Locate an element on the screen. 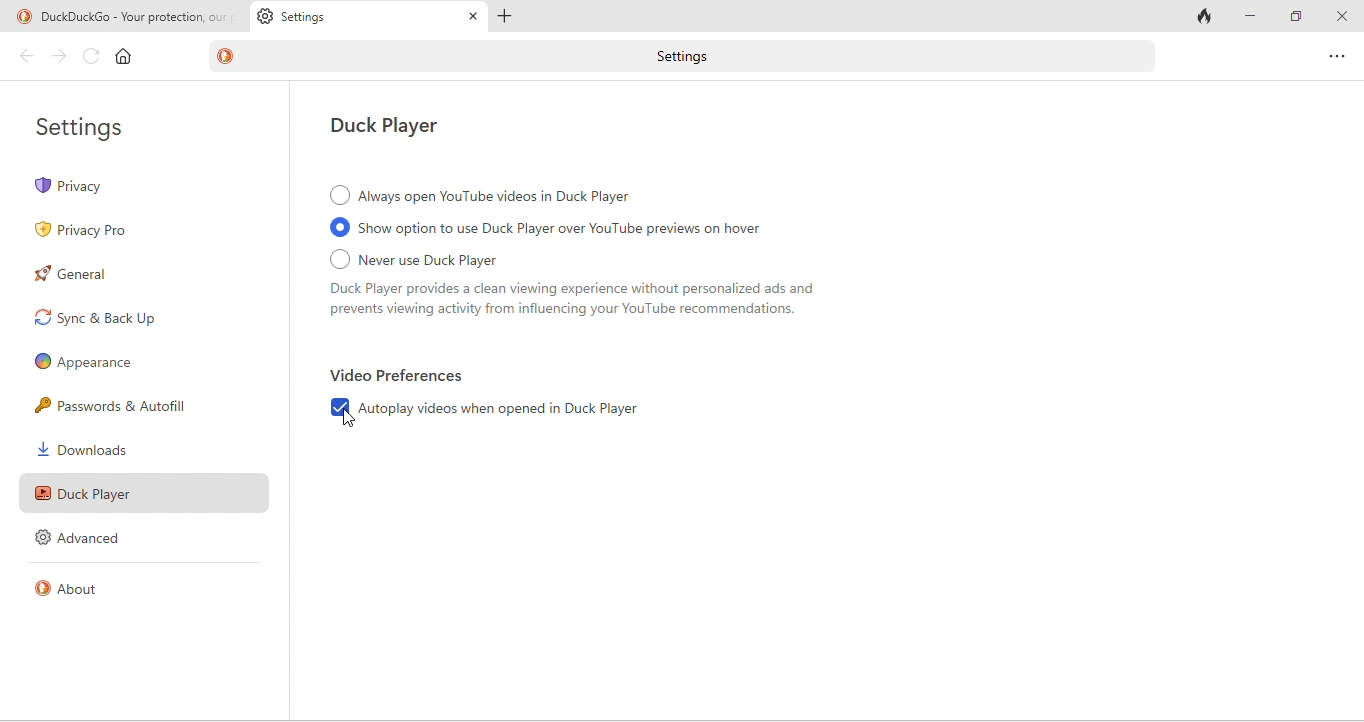 This screenshot has width=1364, height=722. passwords and autofill is located at coordinates (130, 406).